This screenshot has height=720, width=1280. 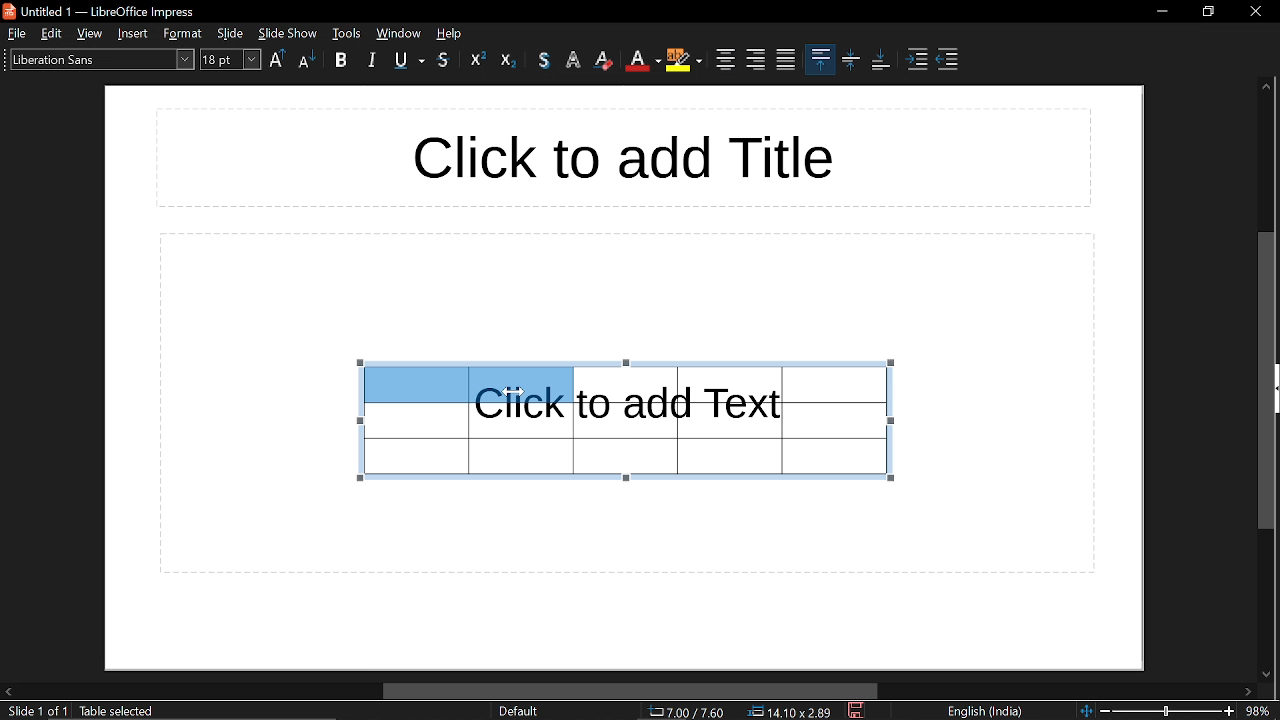 I want to click on view, so click(x=91, y=33).